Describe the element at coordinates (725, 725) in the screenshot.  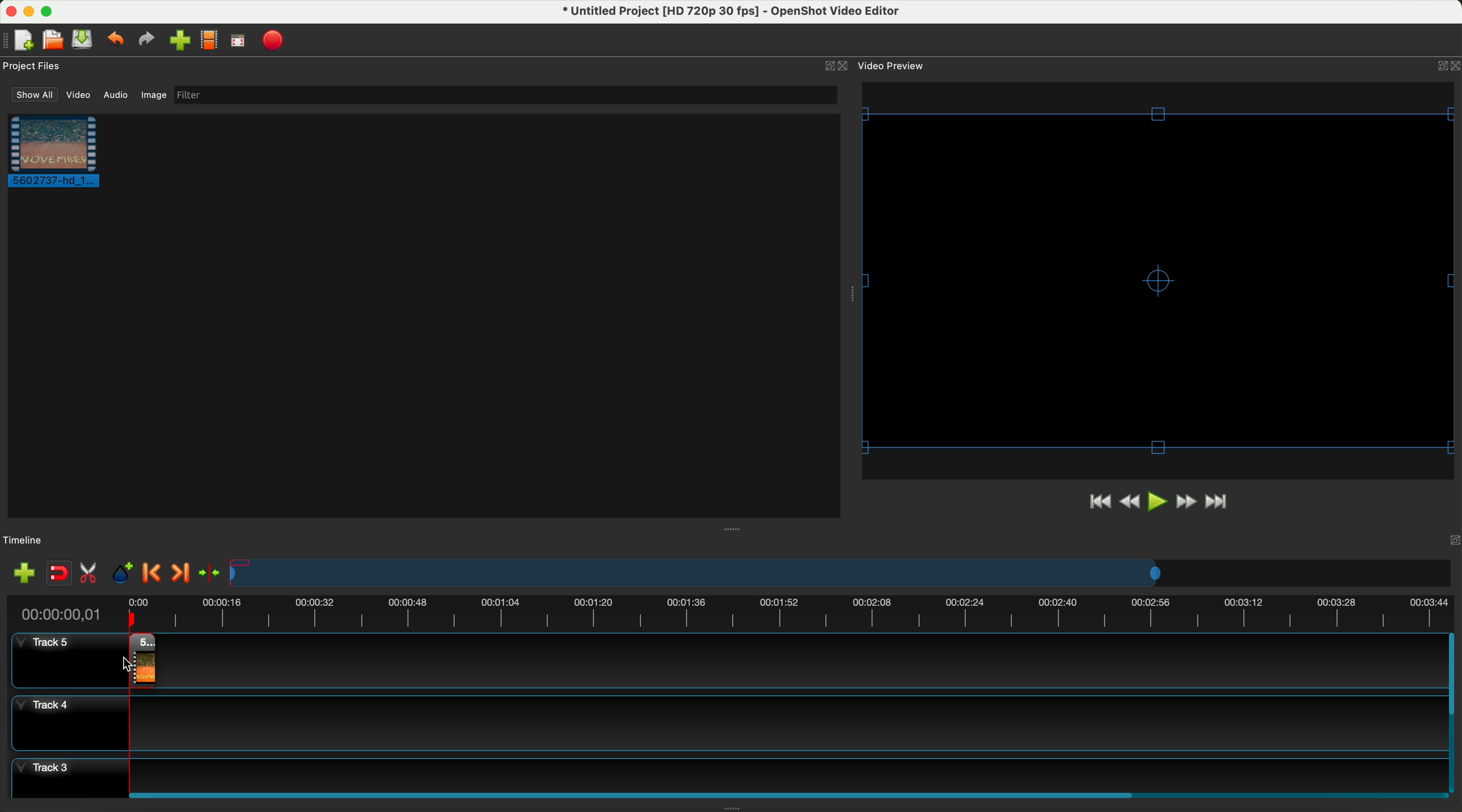
I see `track 4` at that location.